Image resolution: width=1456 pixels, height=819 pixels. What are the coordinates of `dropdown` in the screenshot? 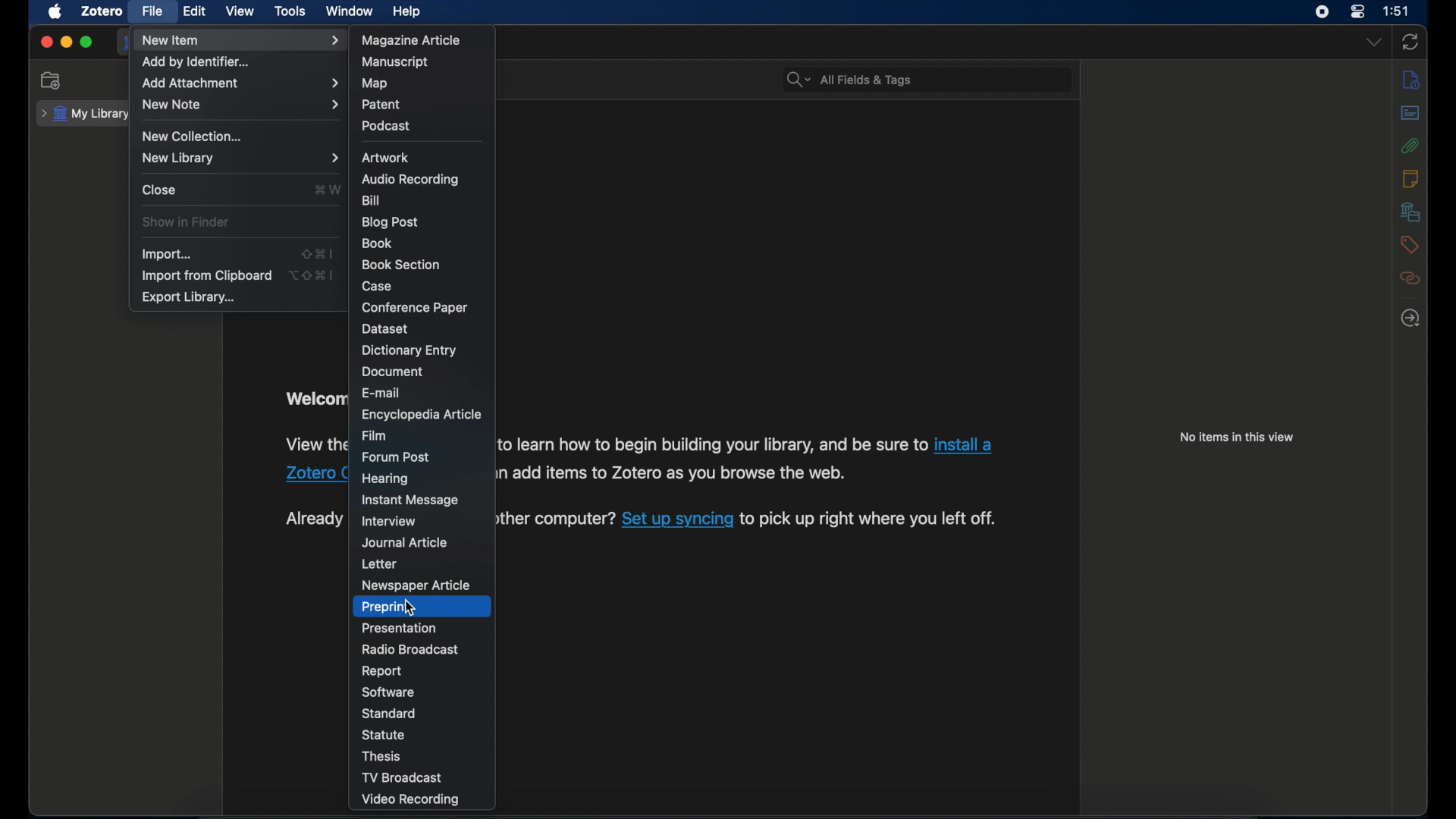 It's located at (1373, 41).